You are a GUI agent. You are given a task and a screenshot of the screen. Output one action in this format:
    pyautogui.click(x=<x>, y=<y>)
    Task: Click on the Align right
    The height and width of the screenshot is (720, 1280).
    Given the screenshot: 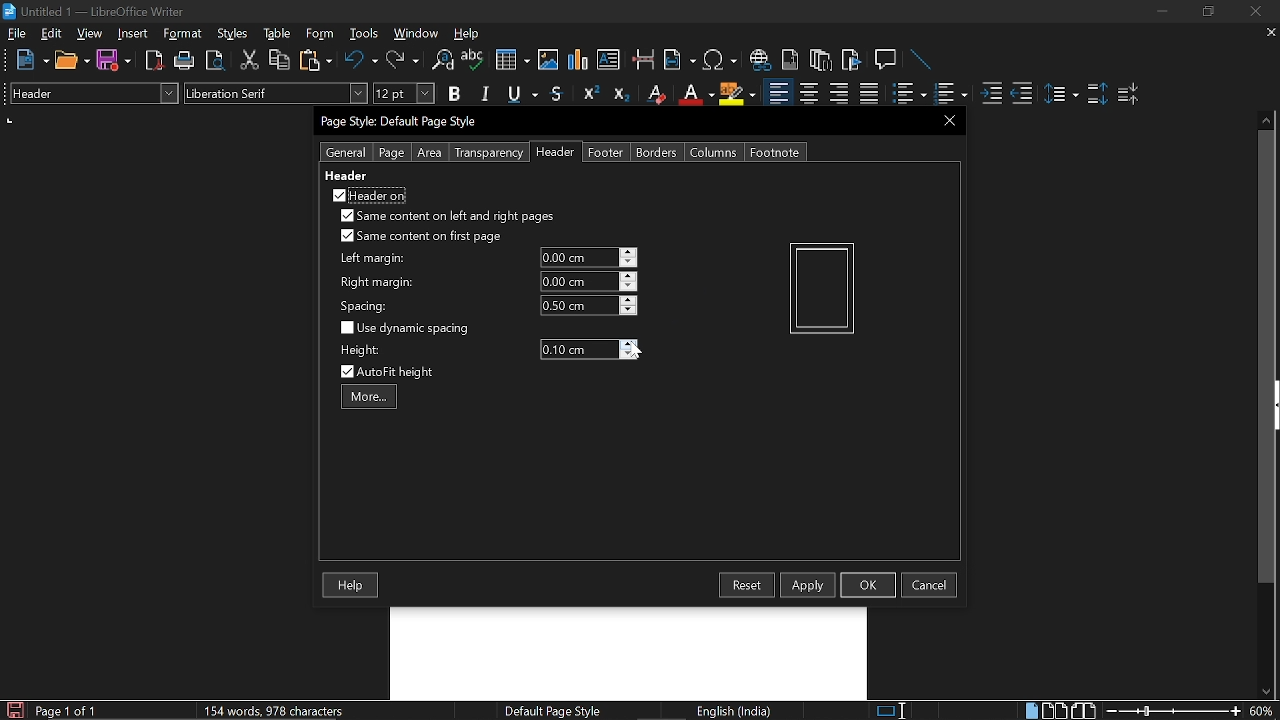 What is the action you would take?
    pyautogui.click(x=841, y=93)
    